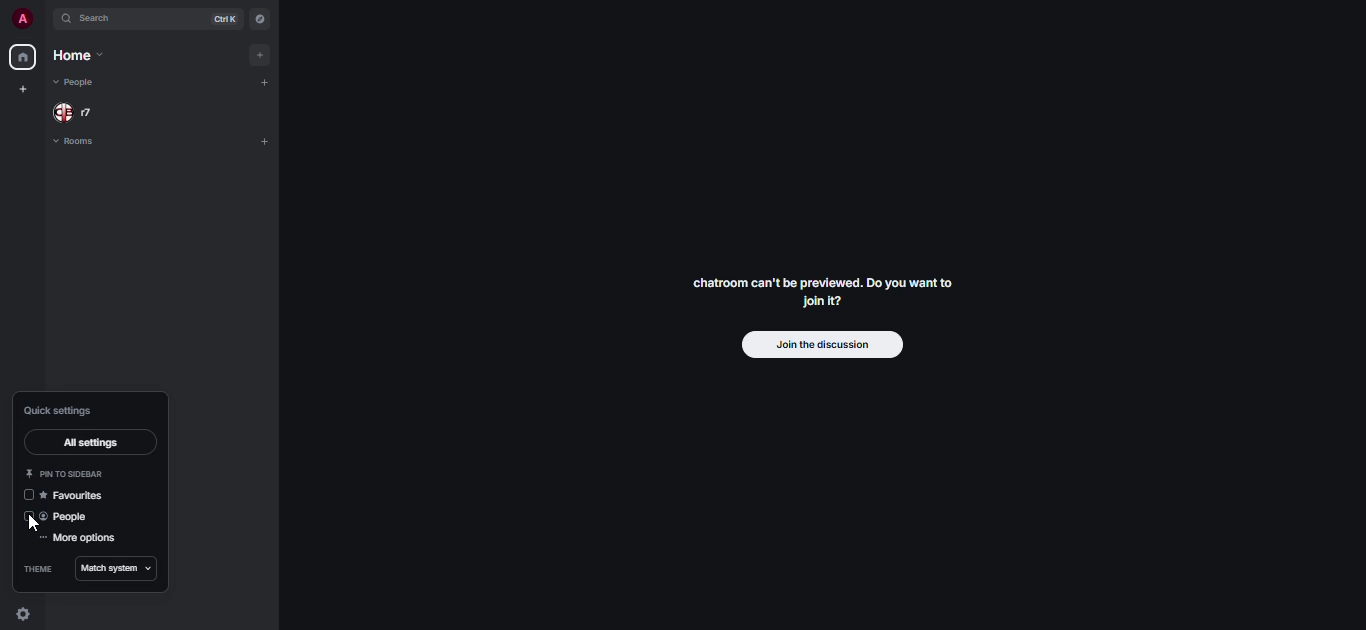  I want to click on people, so click(69, 517).